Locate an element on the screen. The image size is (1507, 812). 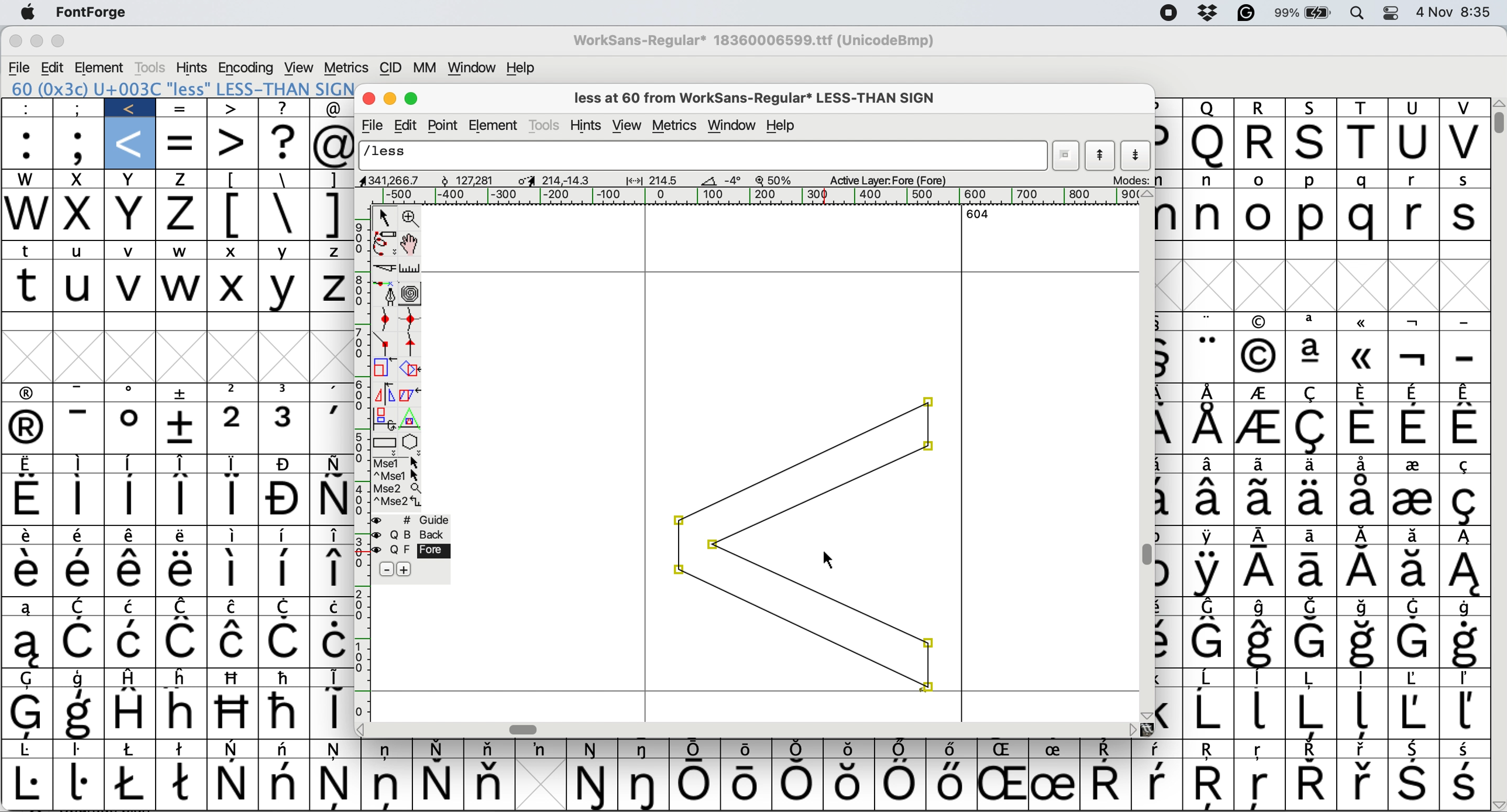
Symbol is located at coordinates (285, 569).